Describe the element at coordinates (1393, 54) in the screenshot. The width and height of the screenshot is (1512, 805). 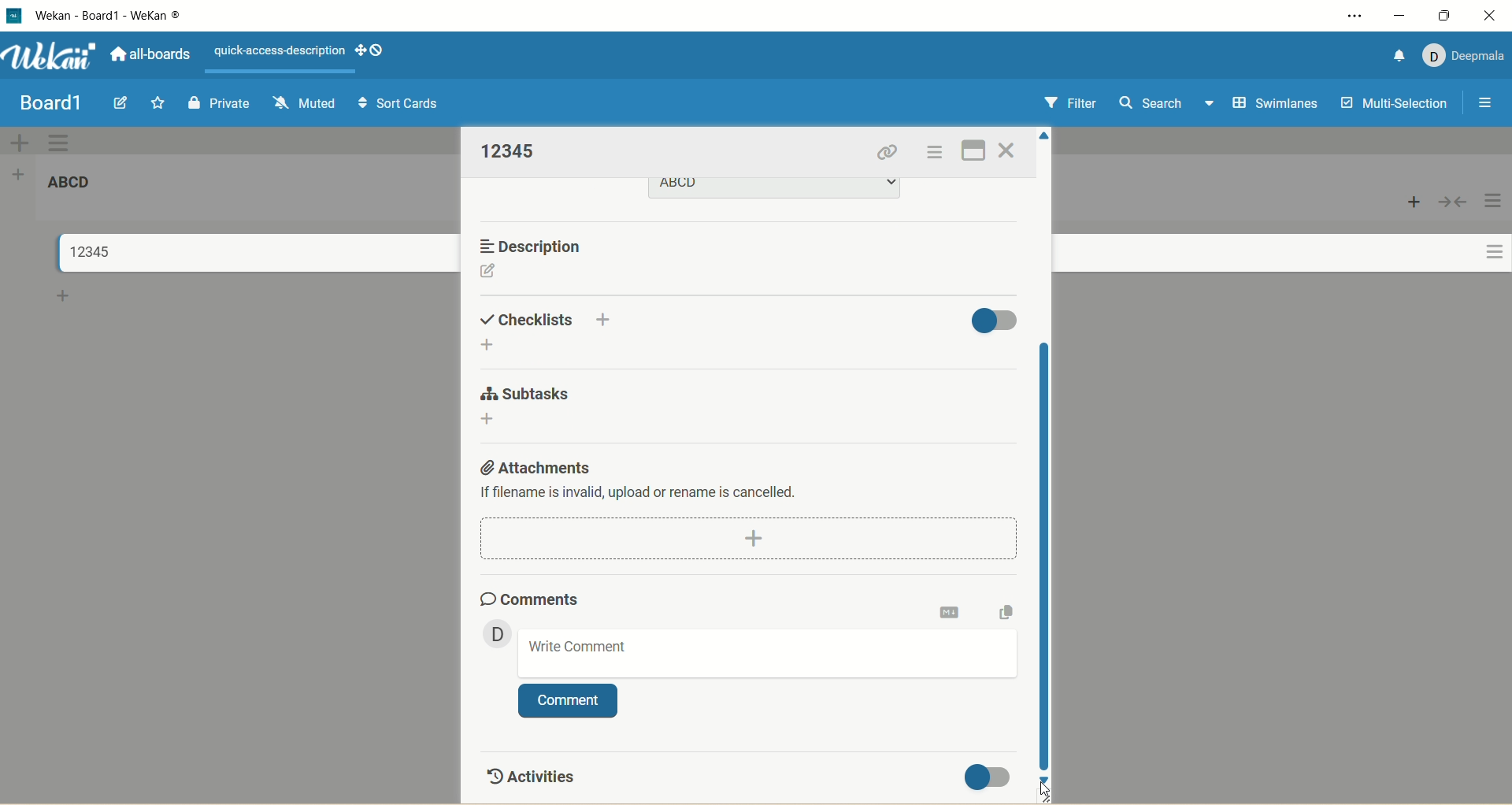
I see `notification` at that location.